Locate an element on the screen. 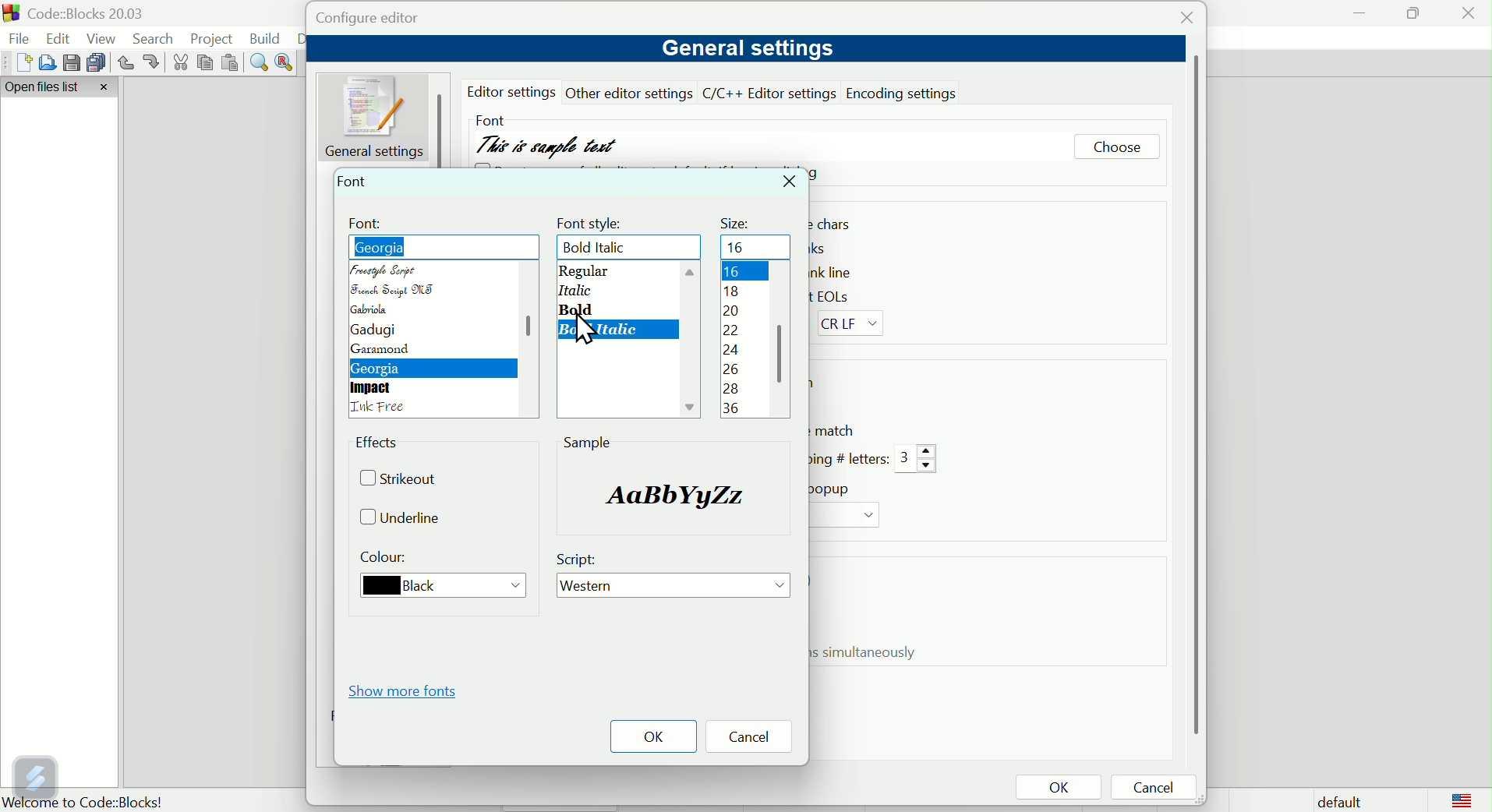 The width and height of the screenshot is (1492, 812). Undo is located at coordinates (125, 63).